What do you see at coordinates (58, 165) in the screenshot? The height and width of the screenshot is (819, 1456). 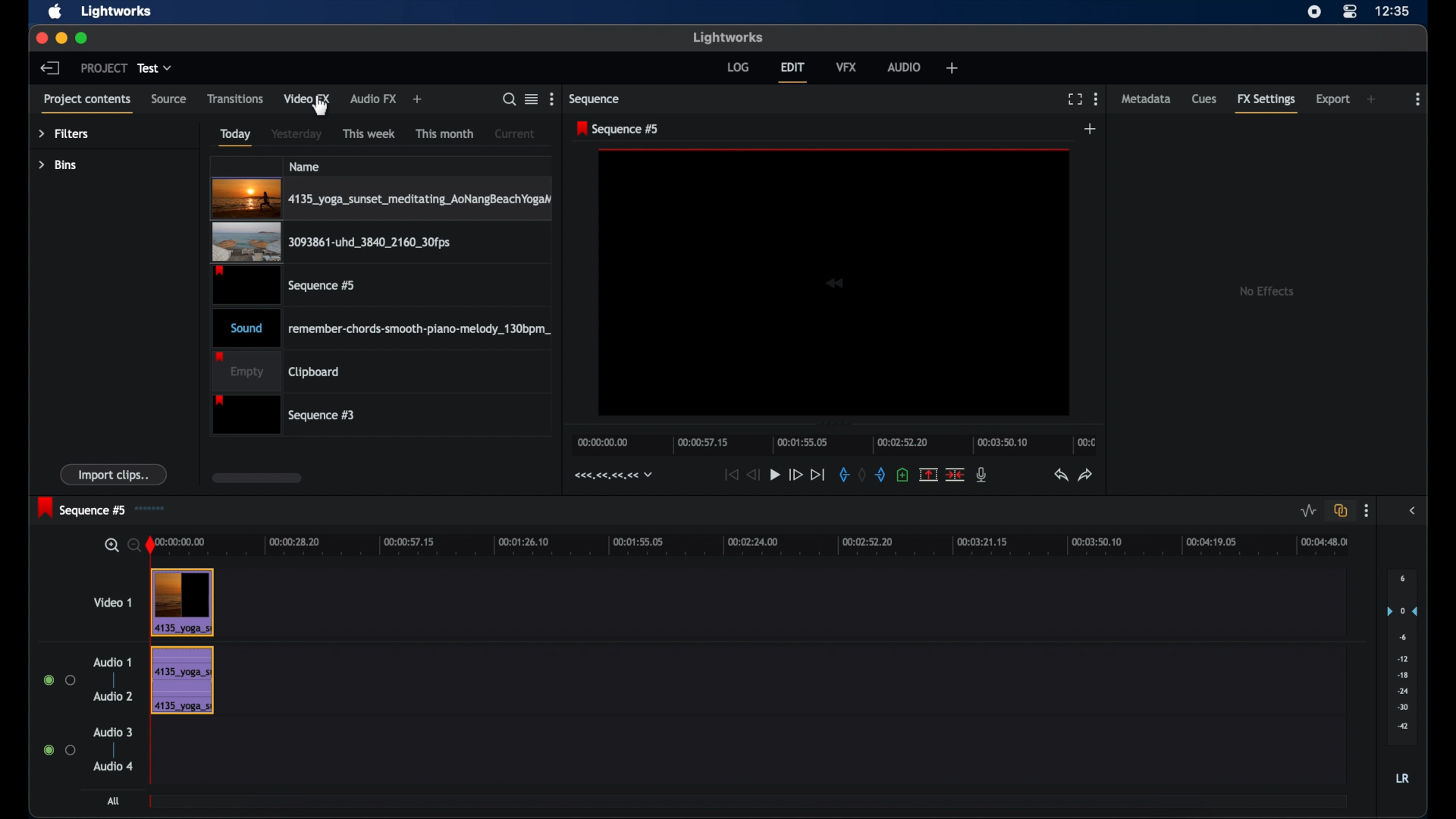 I see `bins` at bounding box center [58, 165].